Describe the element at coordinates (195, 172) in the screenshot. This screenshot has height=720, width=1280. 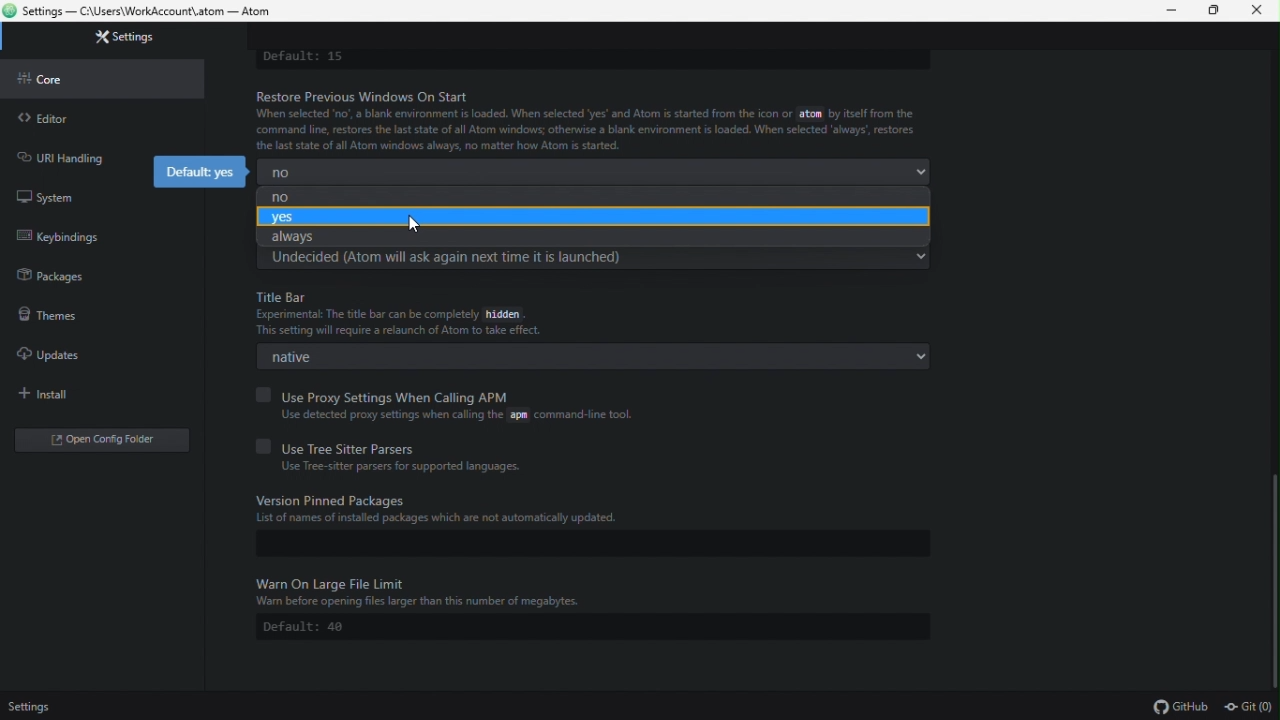
I see `default :yes` at that location.